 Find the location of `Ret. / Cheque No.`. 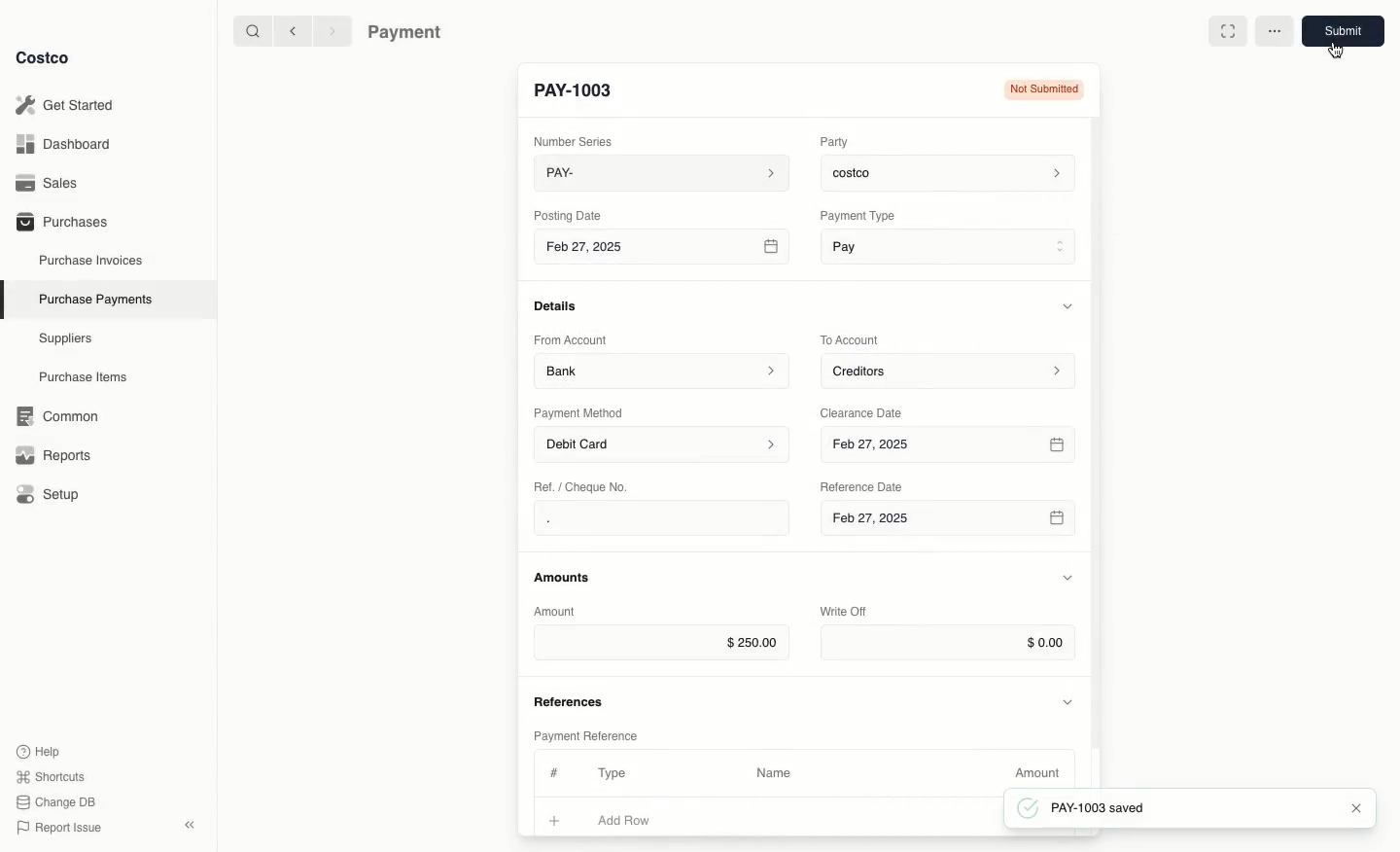

Ret. / Cheque No. is located at coordinates (583, 485).